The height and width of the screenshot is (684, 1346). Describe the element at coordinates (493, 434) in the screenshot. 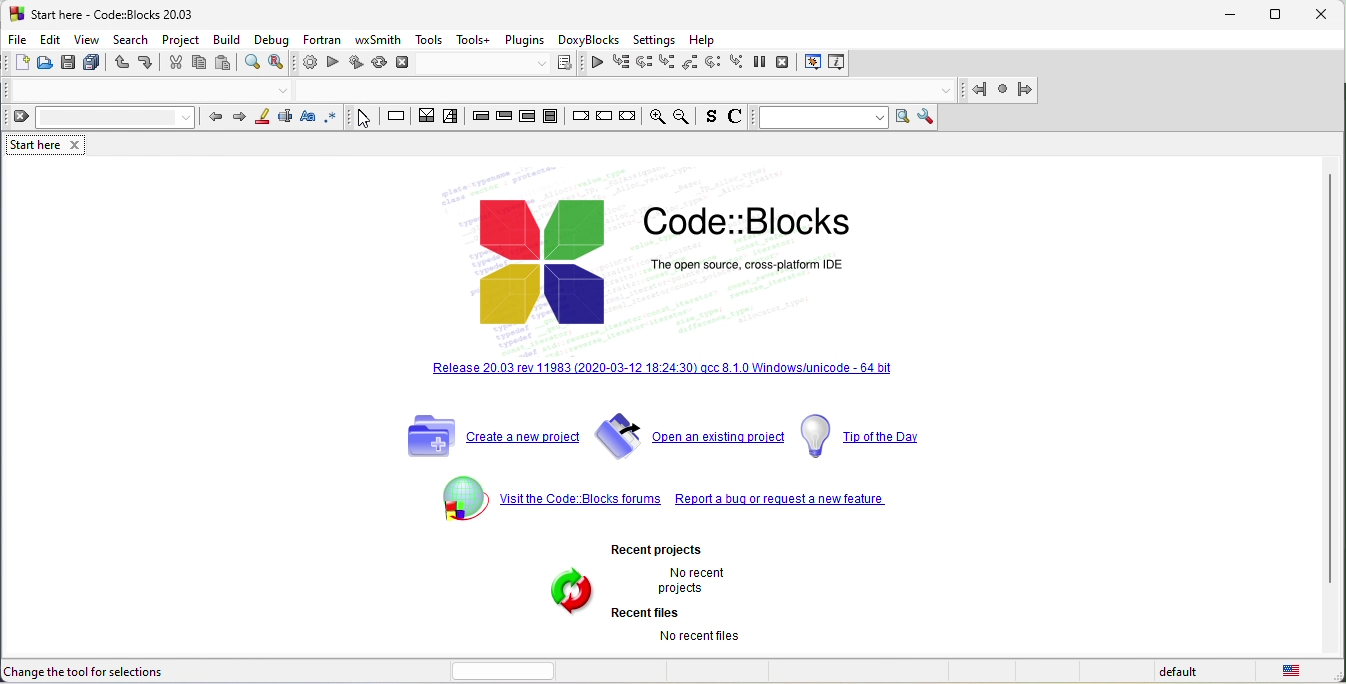

I see `create a new project` at that location.